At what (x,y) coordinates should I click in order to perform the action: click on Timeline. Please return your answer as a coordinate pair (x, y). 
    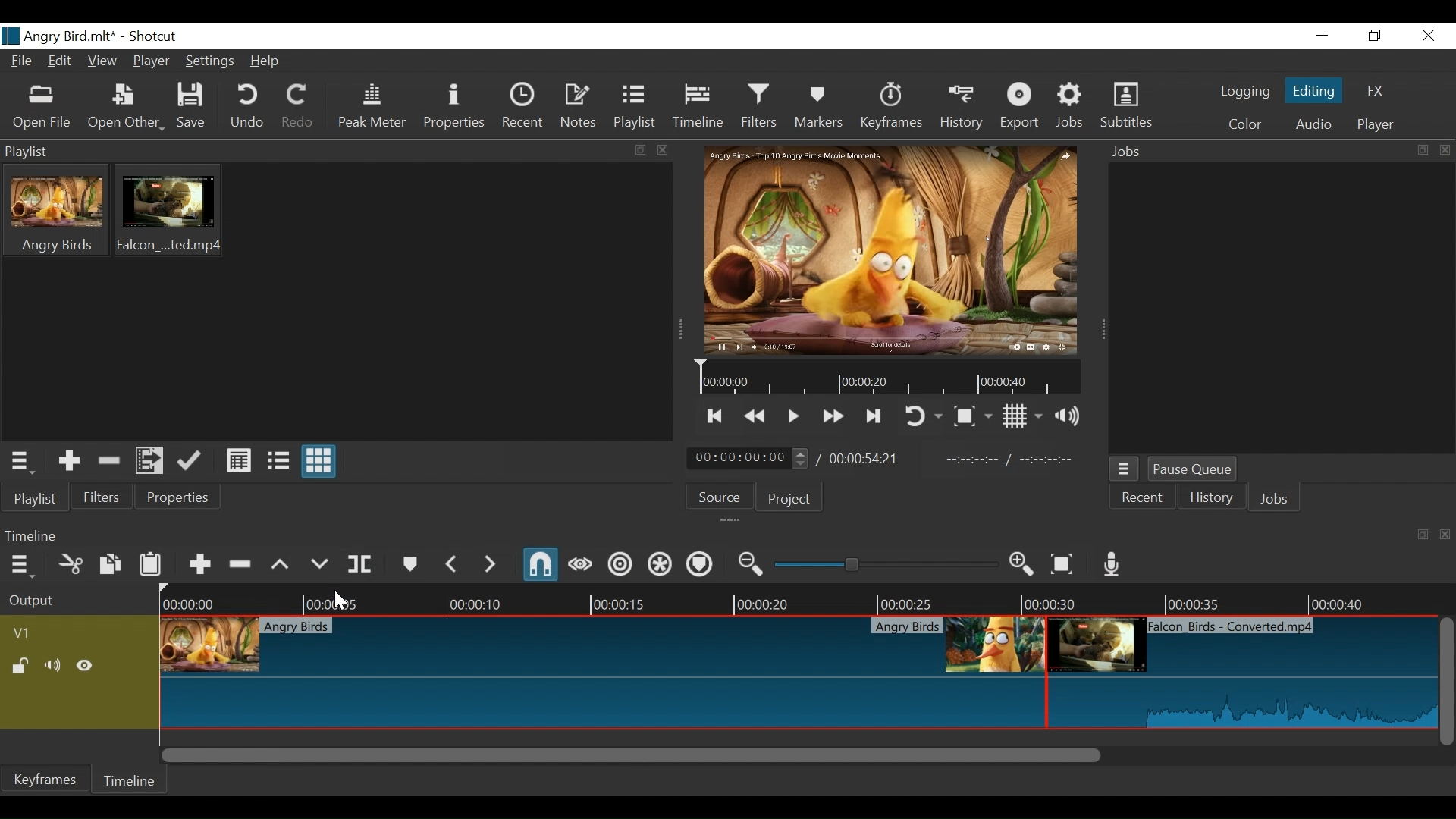
    Looking at the image, I should click on (475, 600).